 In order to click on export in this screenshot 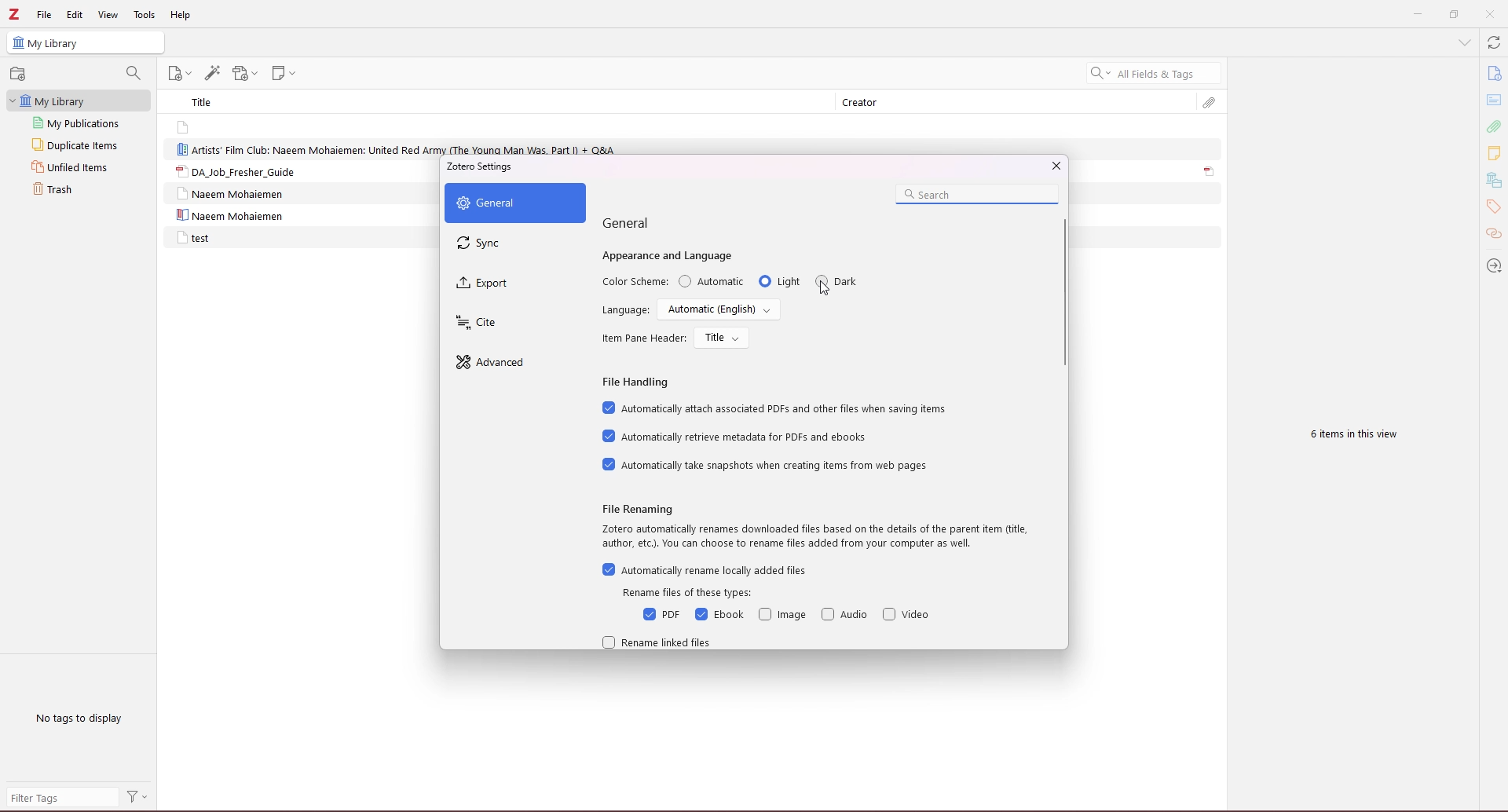, I will do `click(513, 286)`.